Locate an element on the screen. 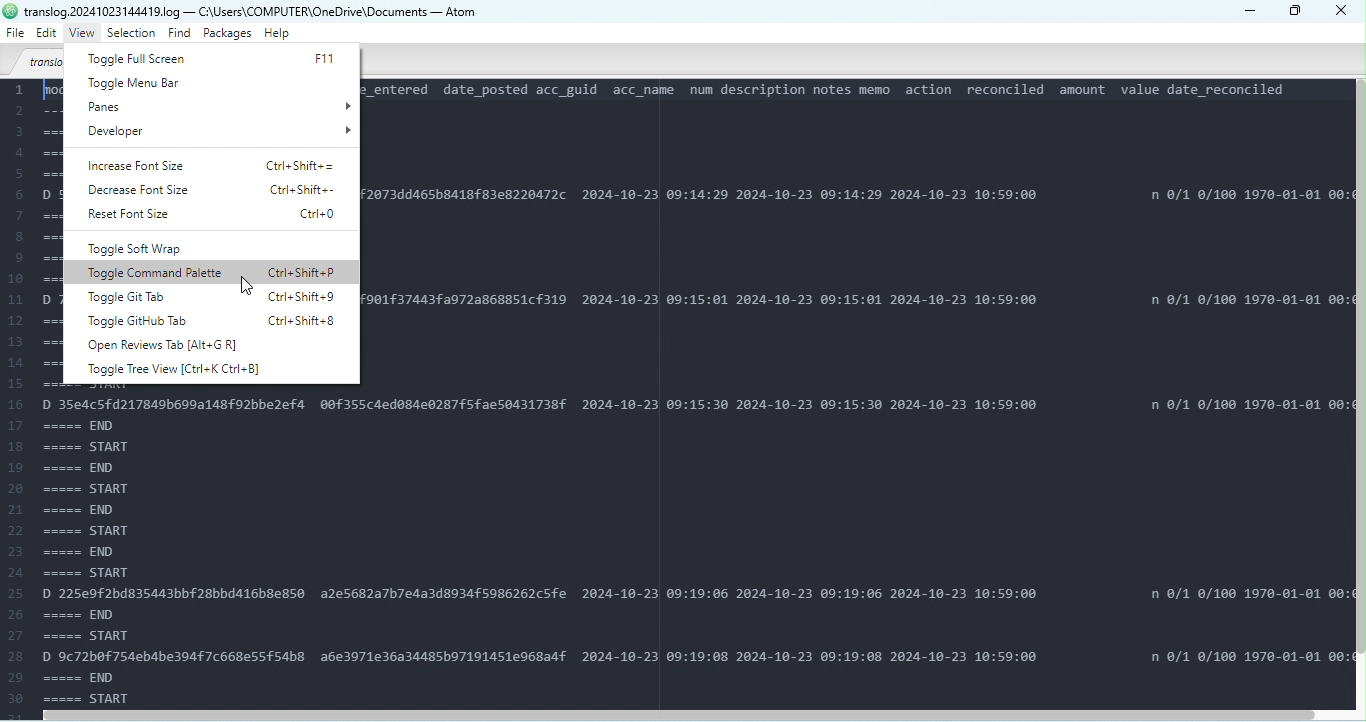 The image size is (1366, 722). Help is located at coordinates (276, 33).